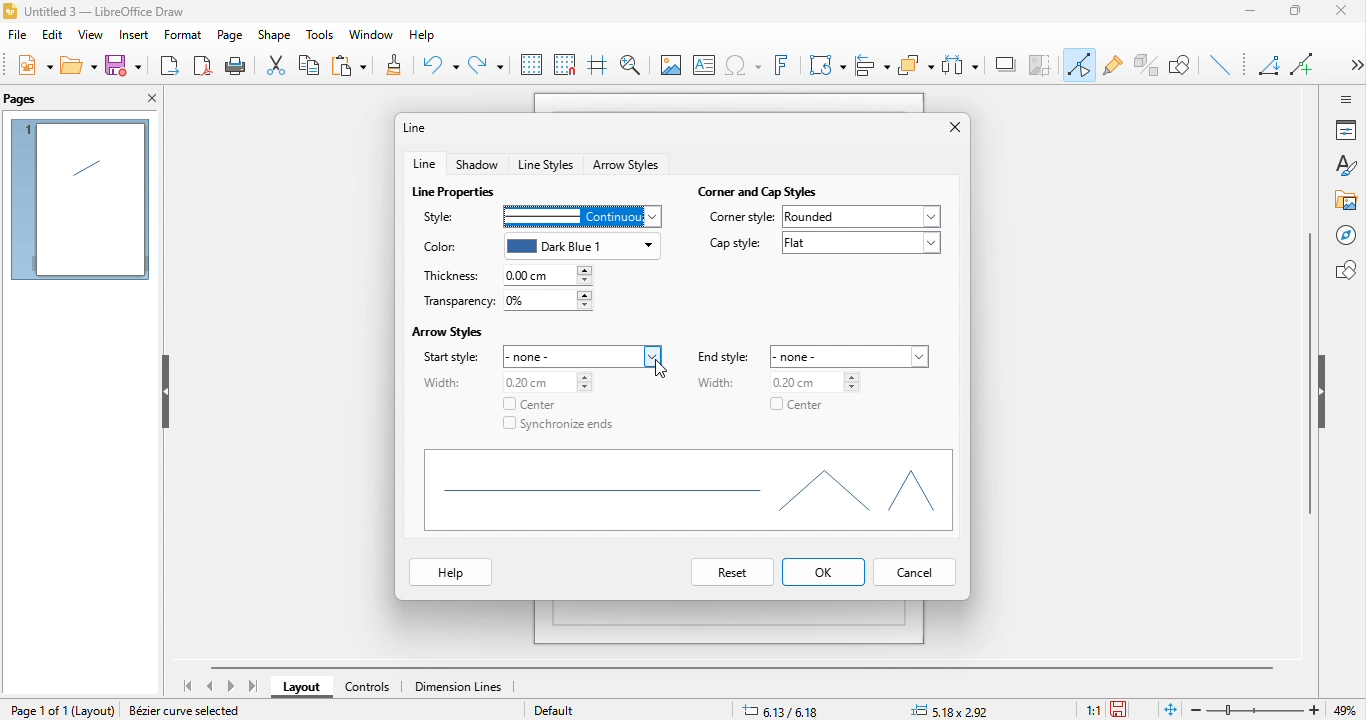 The image size is (1366, 720). What do you see at coordinates (827, 65) in the screenshot?
I see `transformation` at bounding box center [827, 65].